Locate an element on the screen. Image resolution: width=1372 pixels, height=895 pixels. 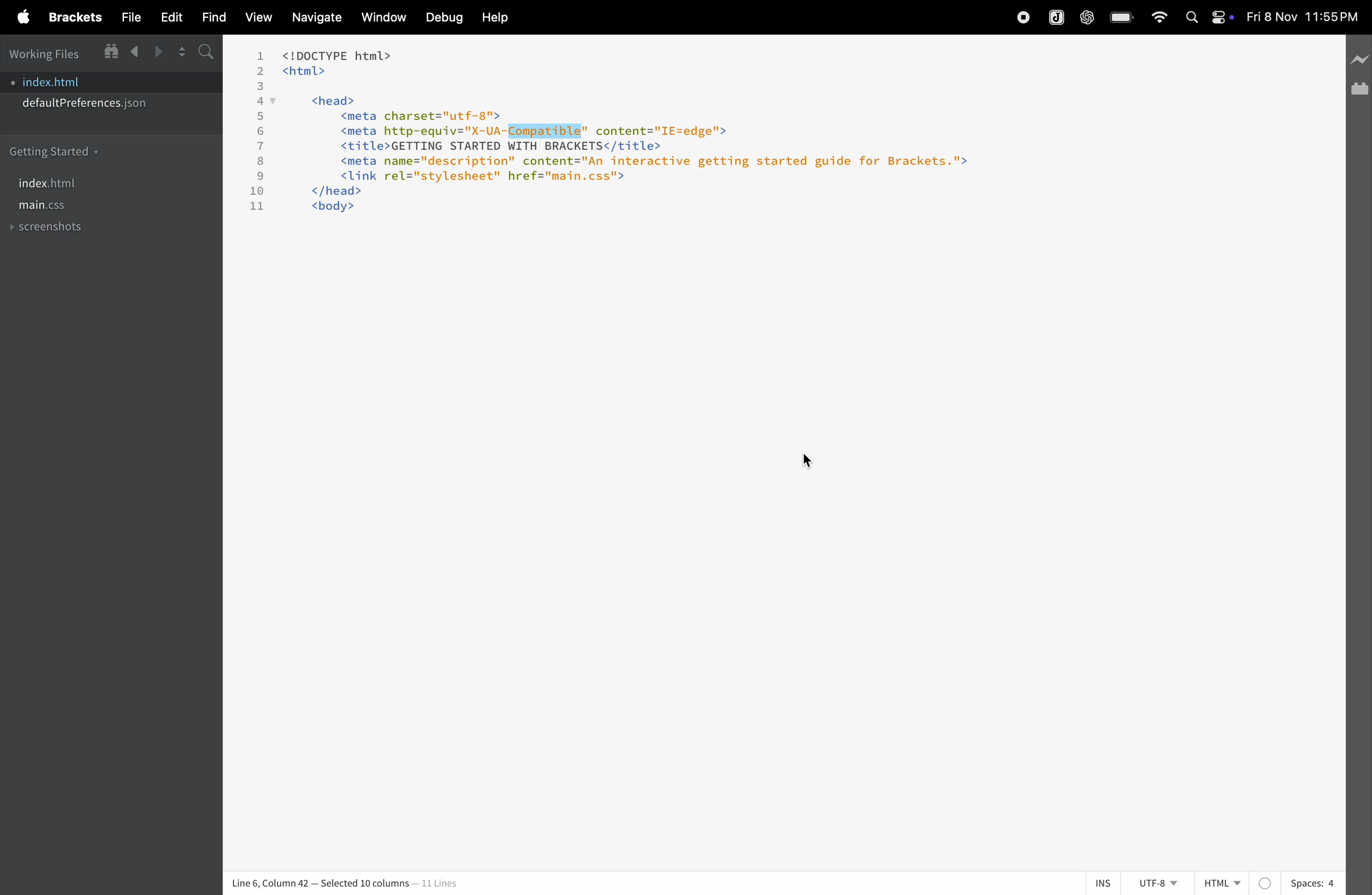
spaces: 4 is located at coordinates (1299, 882).